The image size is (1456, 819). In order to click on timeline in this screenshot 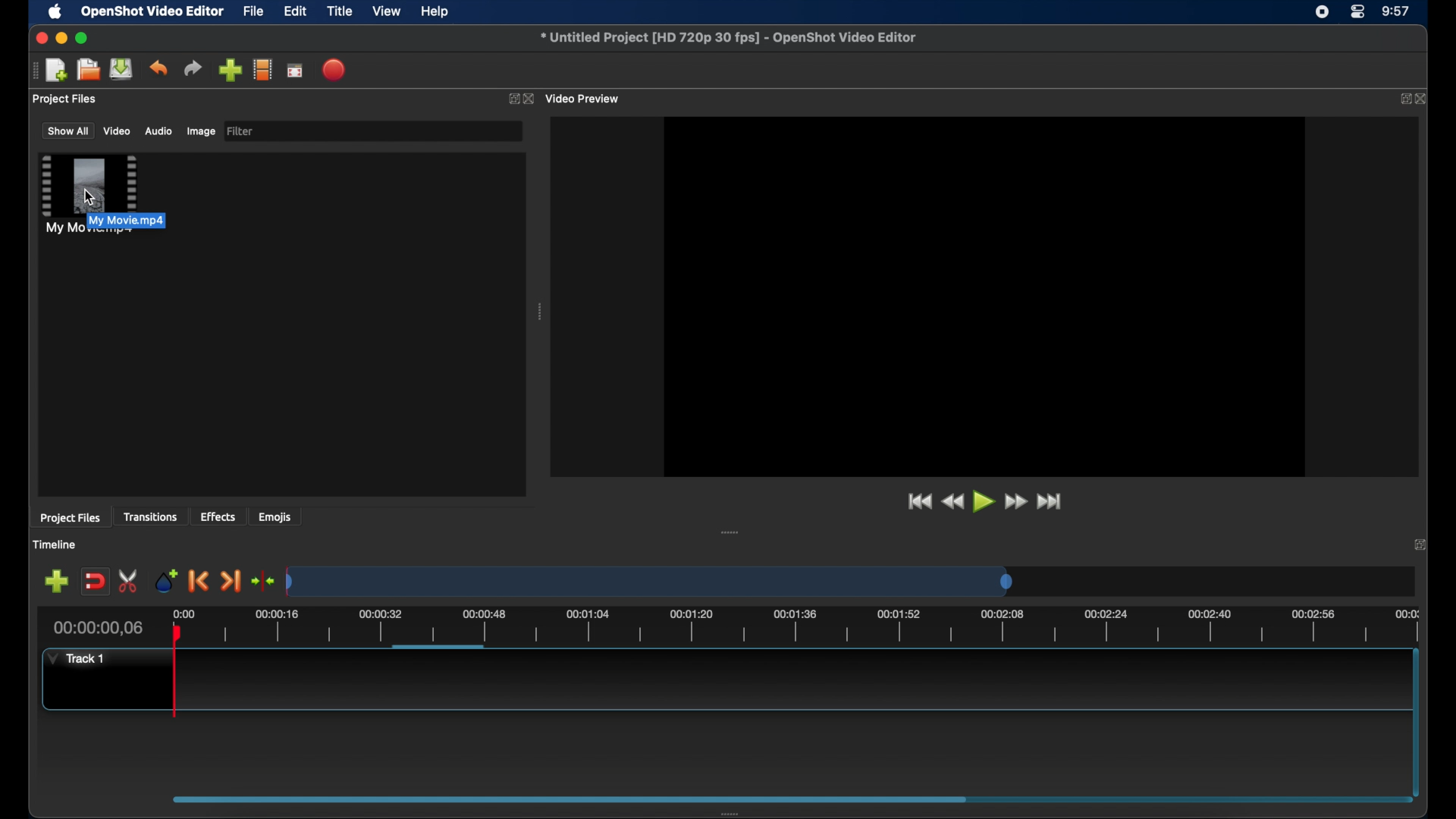, I will do `click(55, 544)`.